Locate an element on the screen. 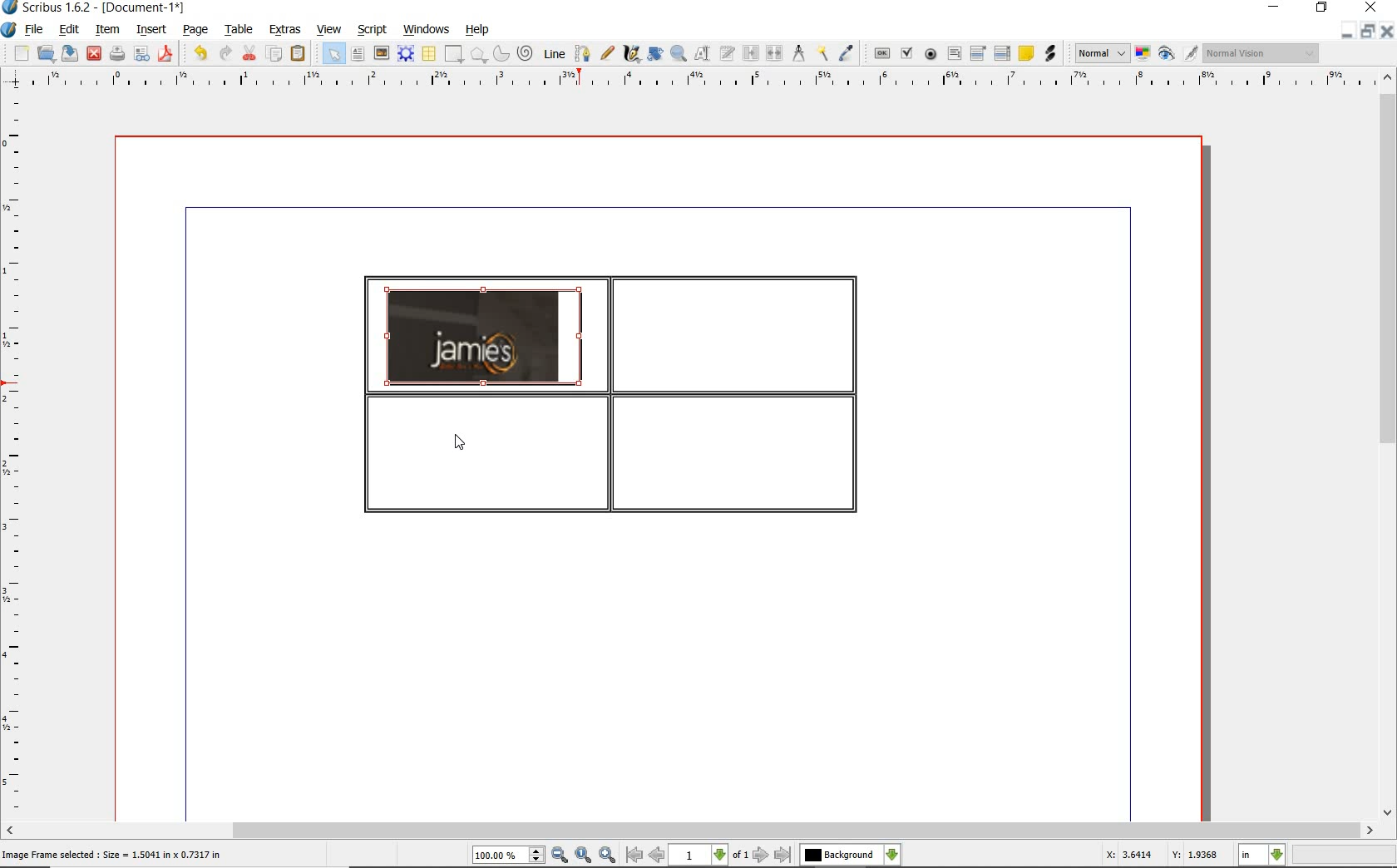 The height and width of the screenshot is (868, 1397). view  is located at coordinates (332, 30).